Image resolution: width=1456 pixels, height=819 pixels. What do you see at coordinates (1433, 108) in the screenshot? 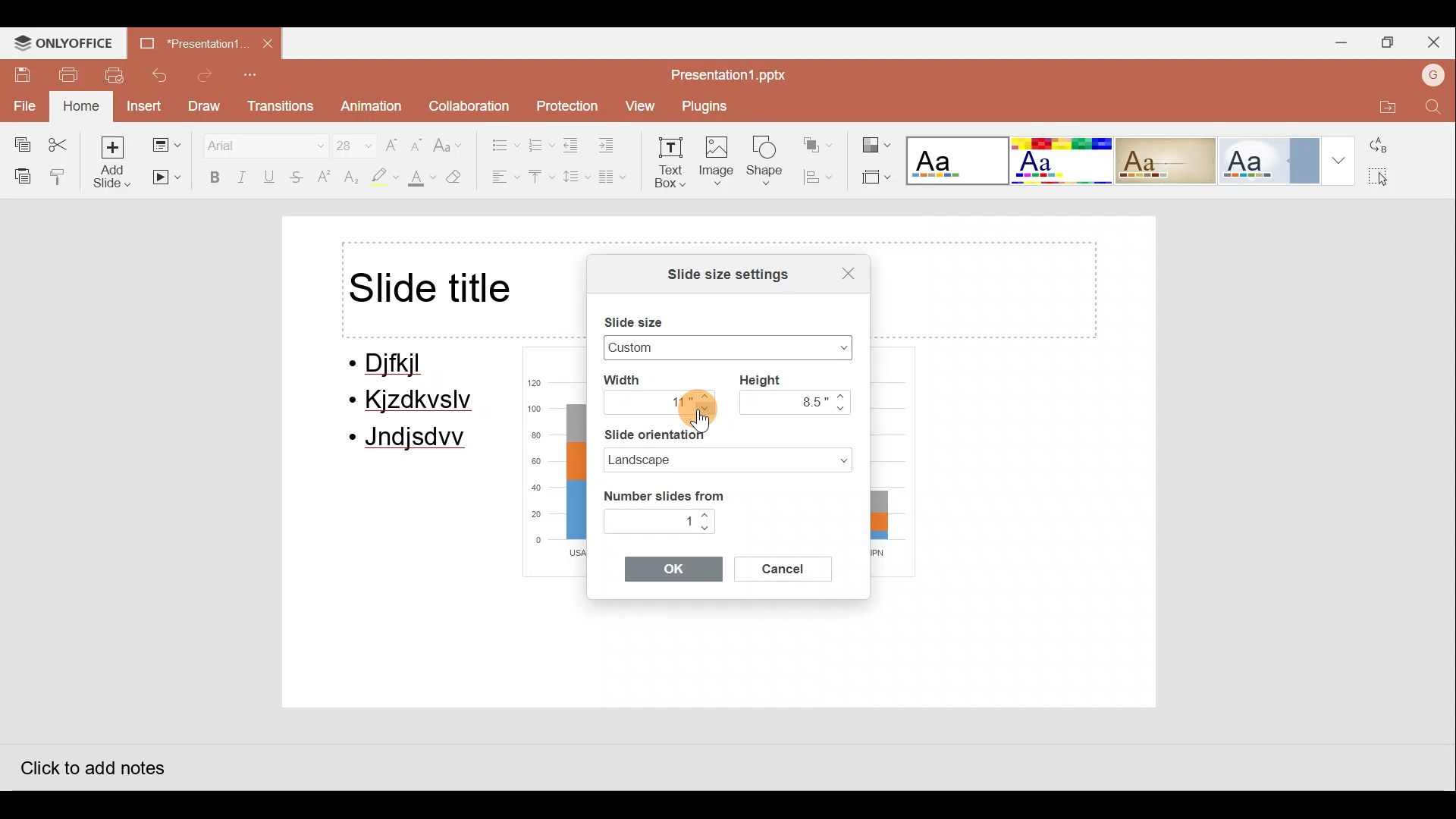
I see `Find` at bounding box center [1433, 108].